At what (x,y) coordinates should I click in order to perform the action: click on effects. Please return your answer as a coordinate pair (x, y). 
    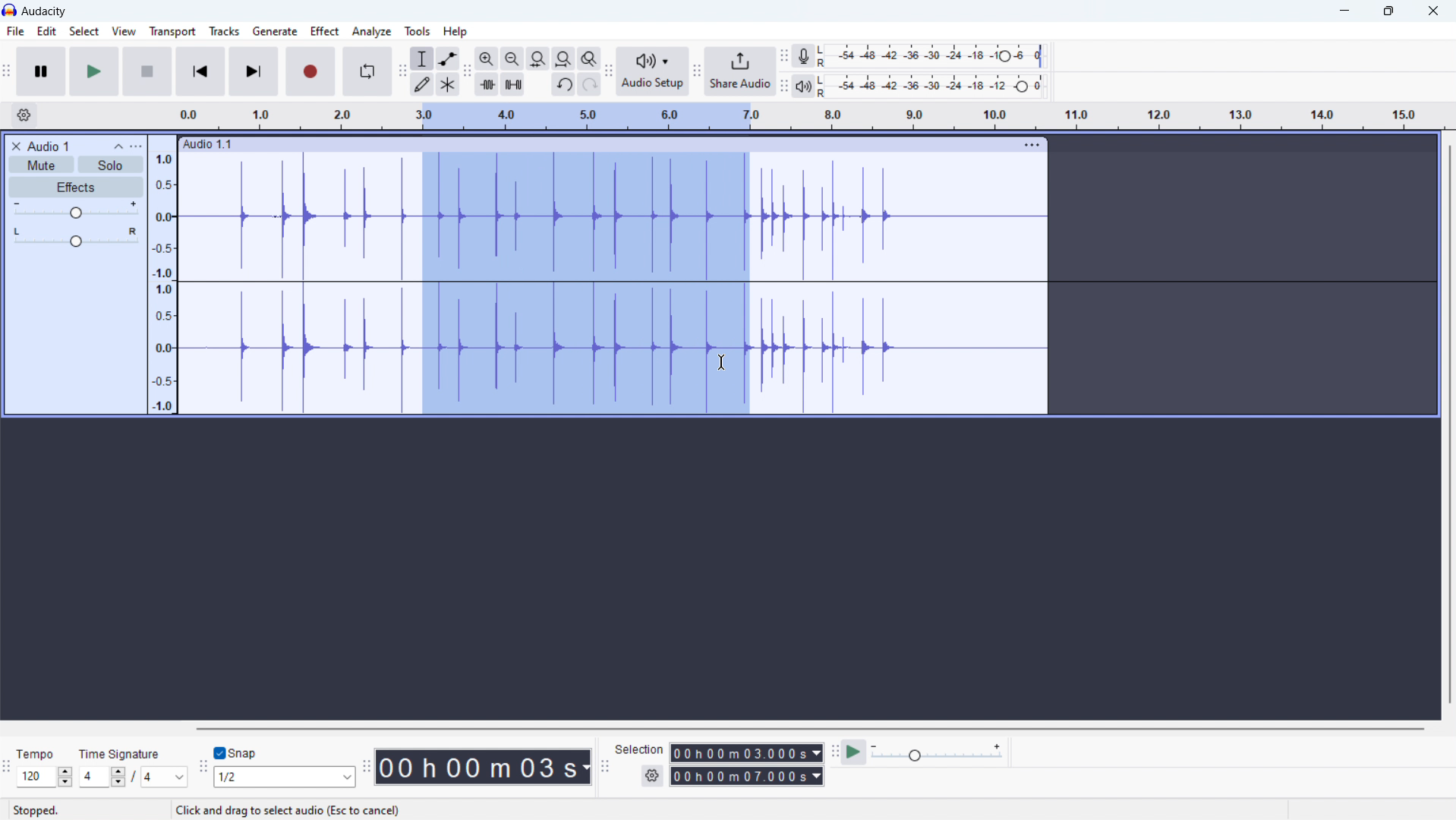
    Looking at the image, I should click on (76, 187).